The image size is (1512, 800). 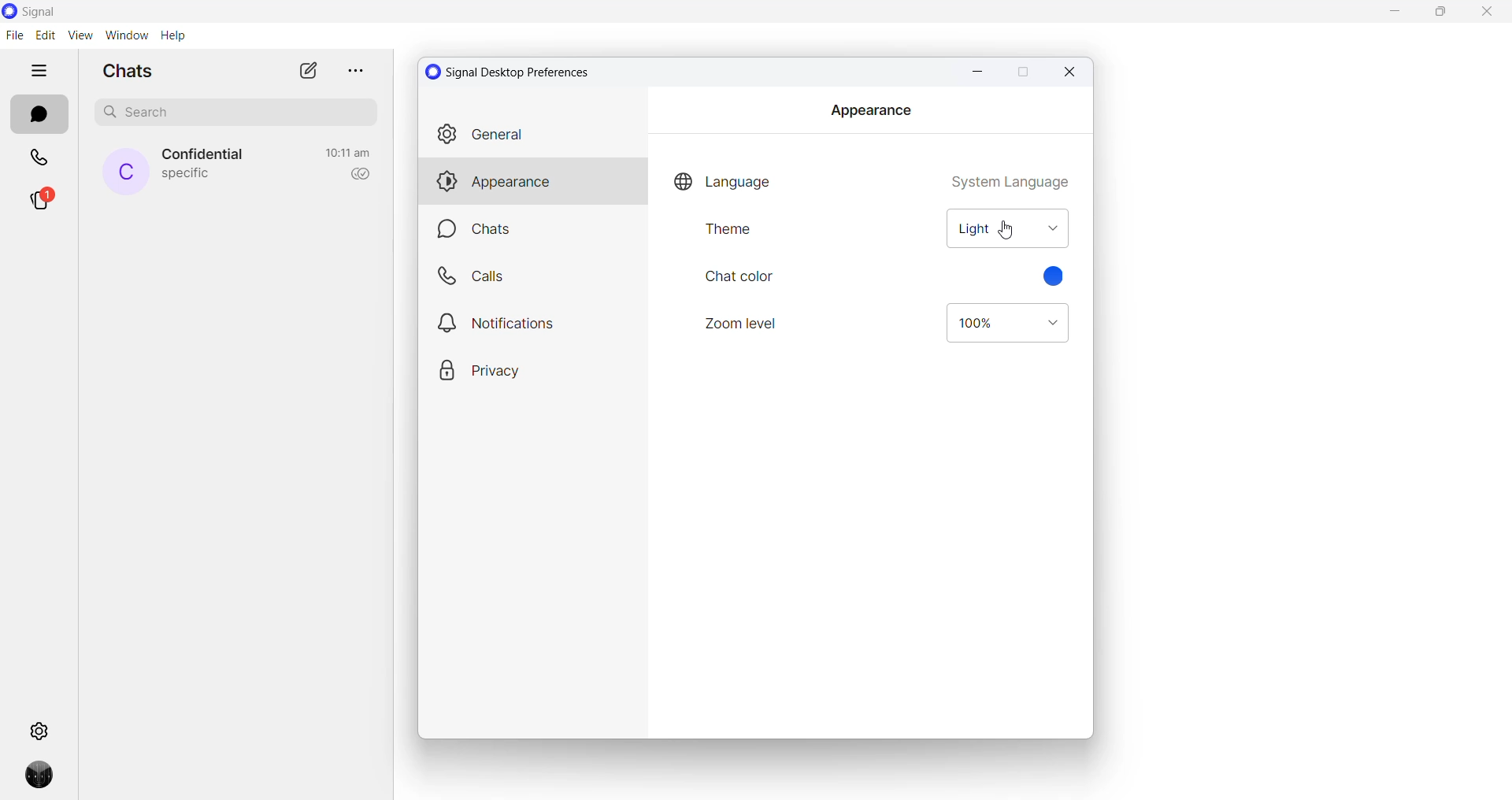 What do you see at coordinates (126, 172) in the screenshot?
I see `profile picture` at bounding box center [126, 172].